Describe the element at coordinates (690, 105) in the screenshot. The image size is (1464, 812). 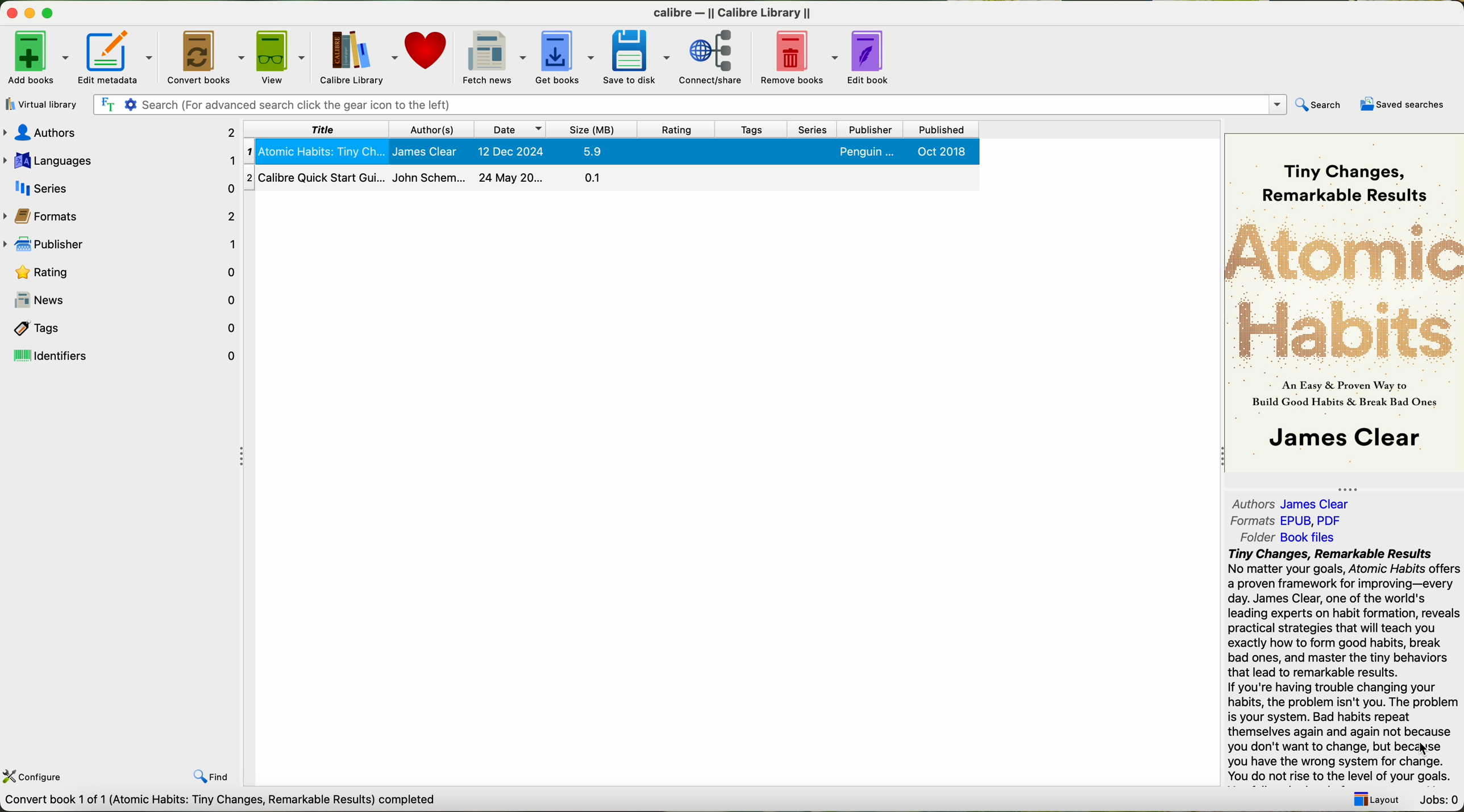
I see `search bar` at that location.